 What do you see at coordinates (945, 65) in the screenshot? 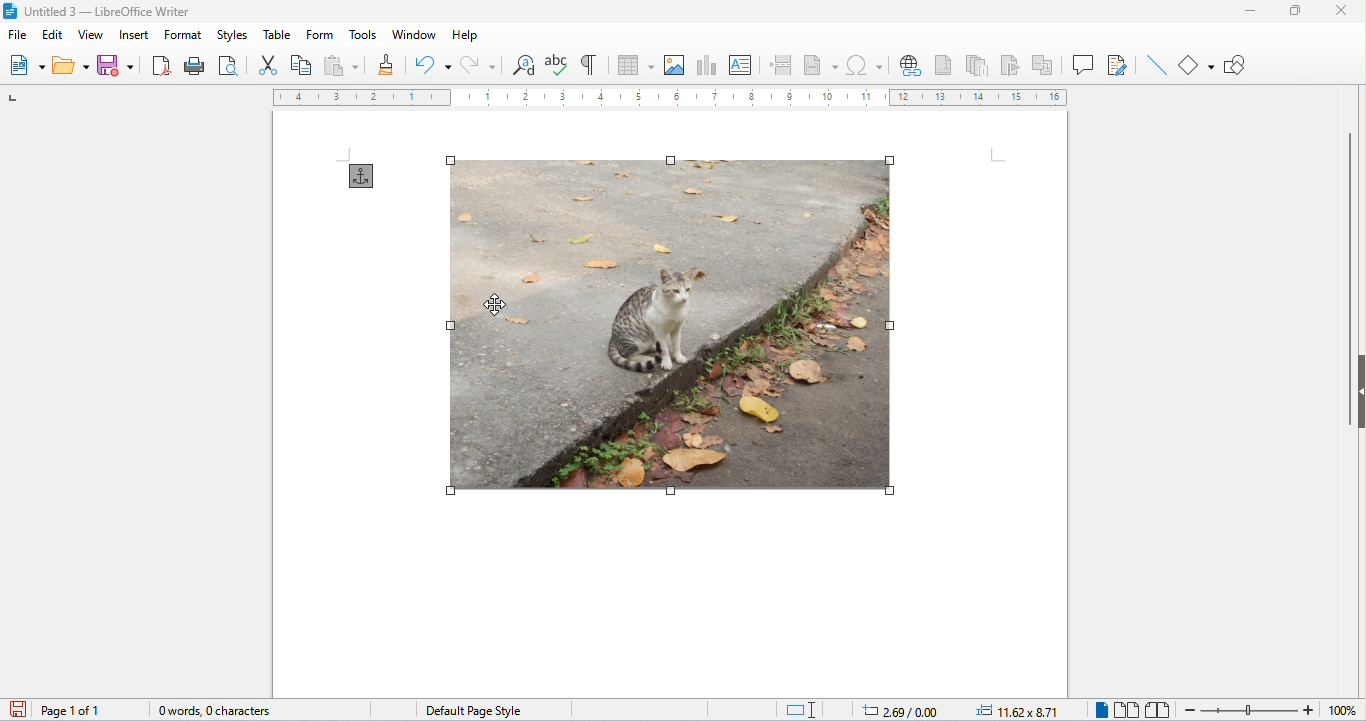
I see `insert footnote` at bounding box center [945, 65].